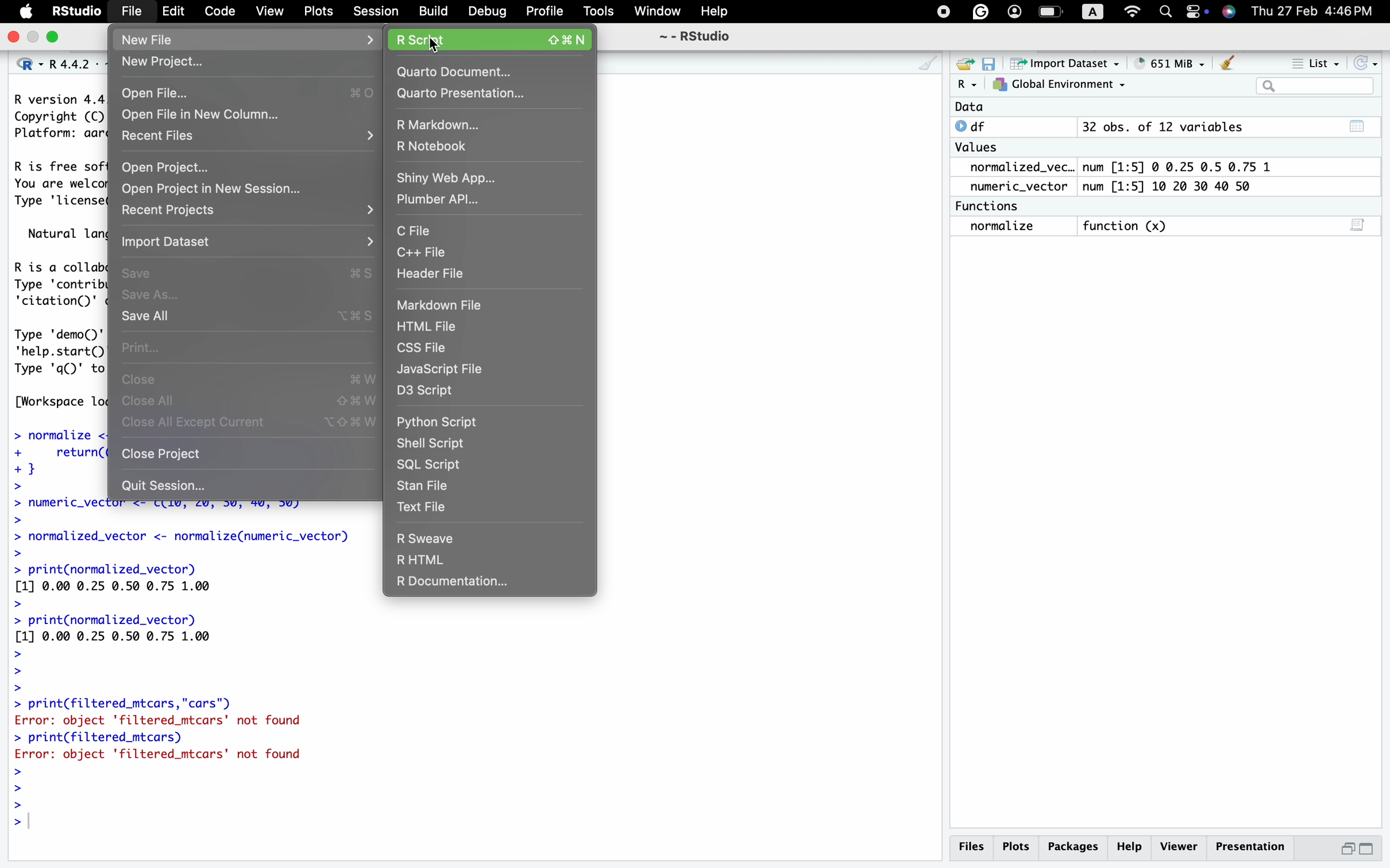 Image resolution: width=1390 pixels, height=868 pixels. Describe the element at coordinates (427, 486) in the screenshot. I see `Stan File` at that location.